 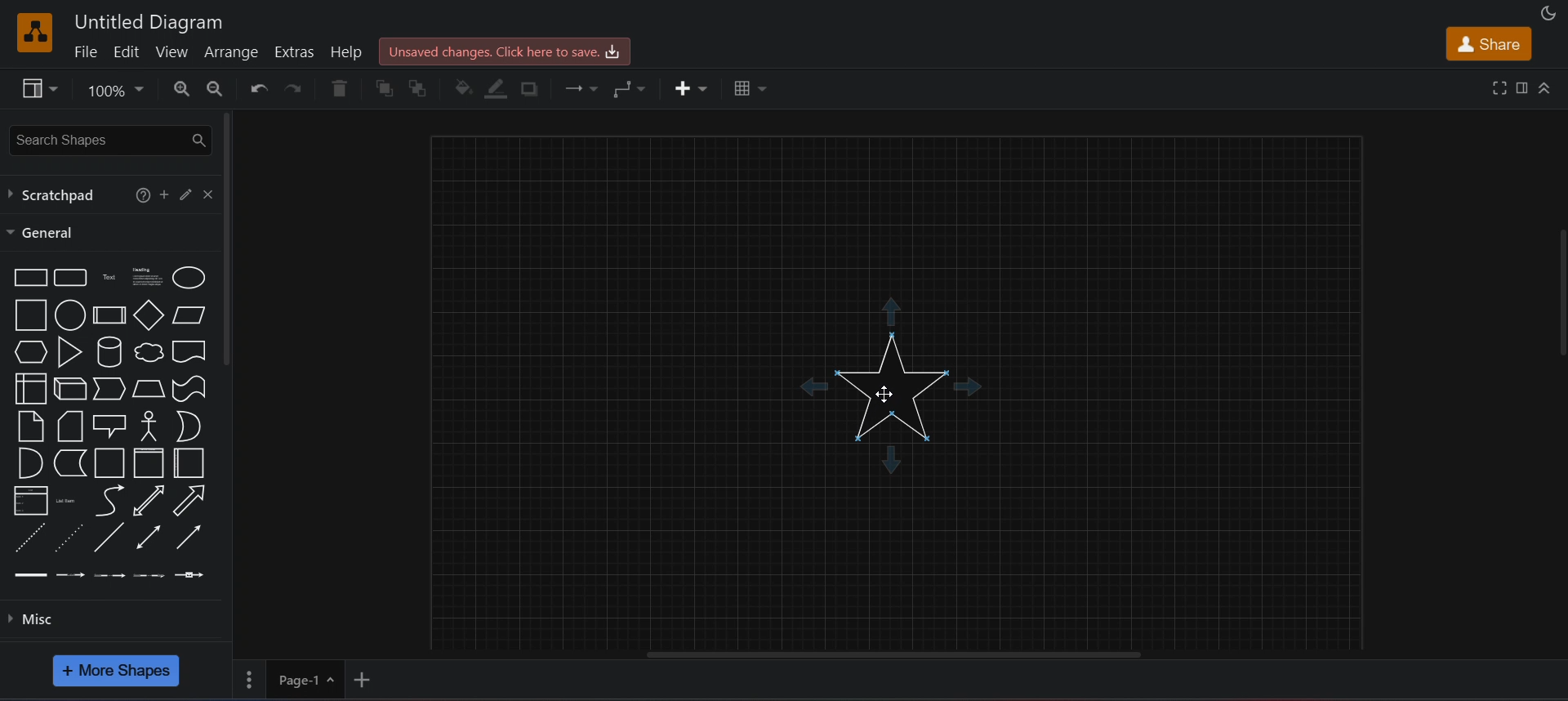 What do you see at coordinates (890, 393) in the screenshot?
I see `cursor` at bounding box center [890, 393].